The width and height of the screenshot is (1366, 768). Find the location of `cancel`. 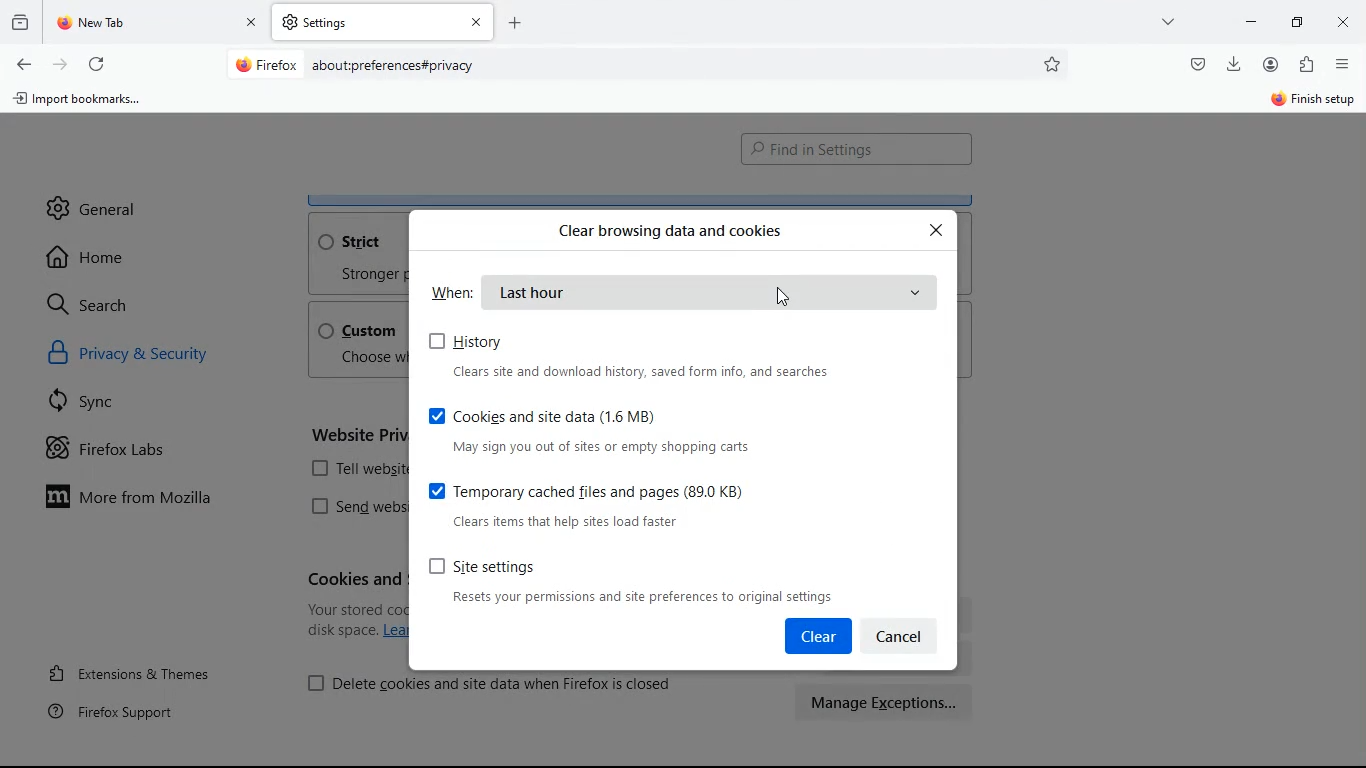

cancel is located at coordinates (907, 634).